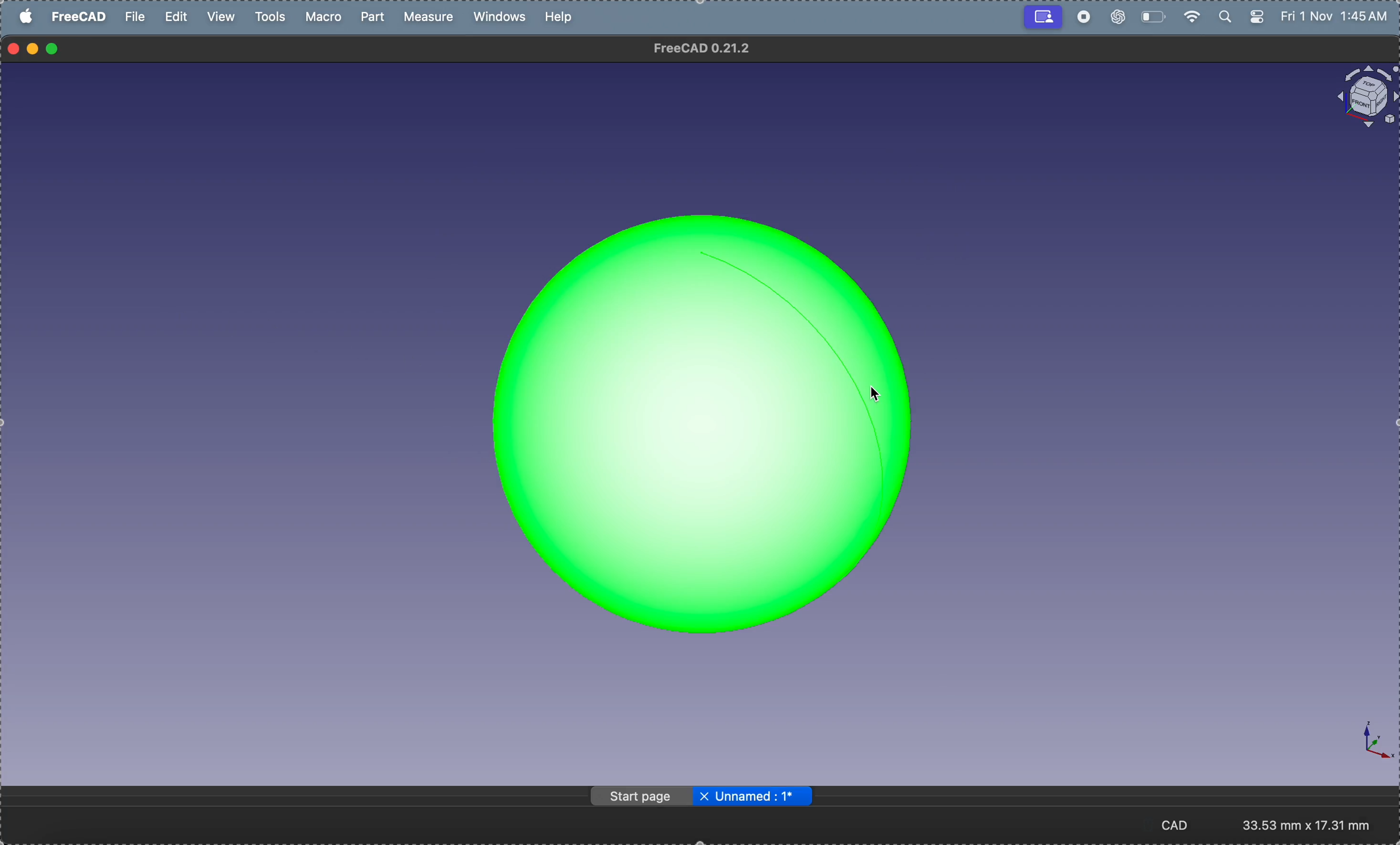  I want to click on view, so click(223, 16).